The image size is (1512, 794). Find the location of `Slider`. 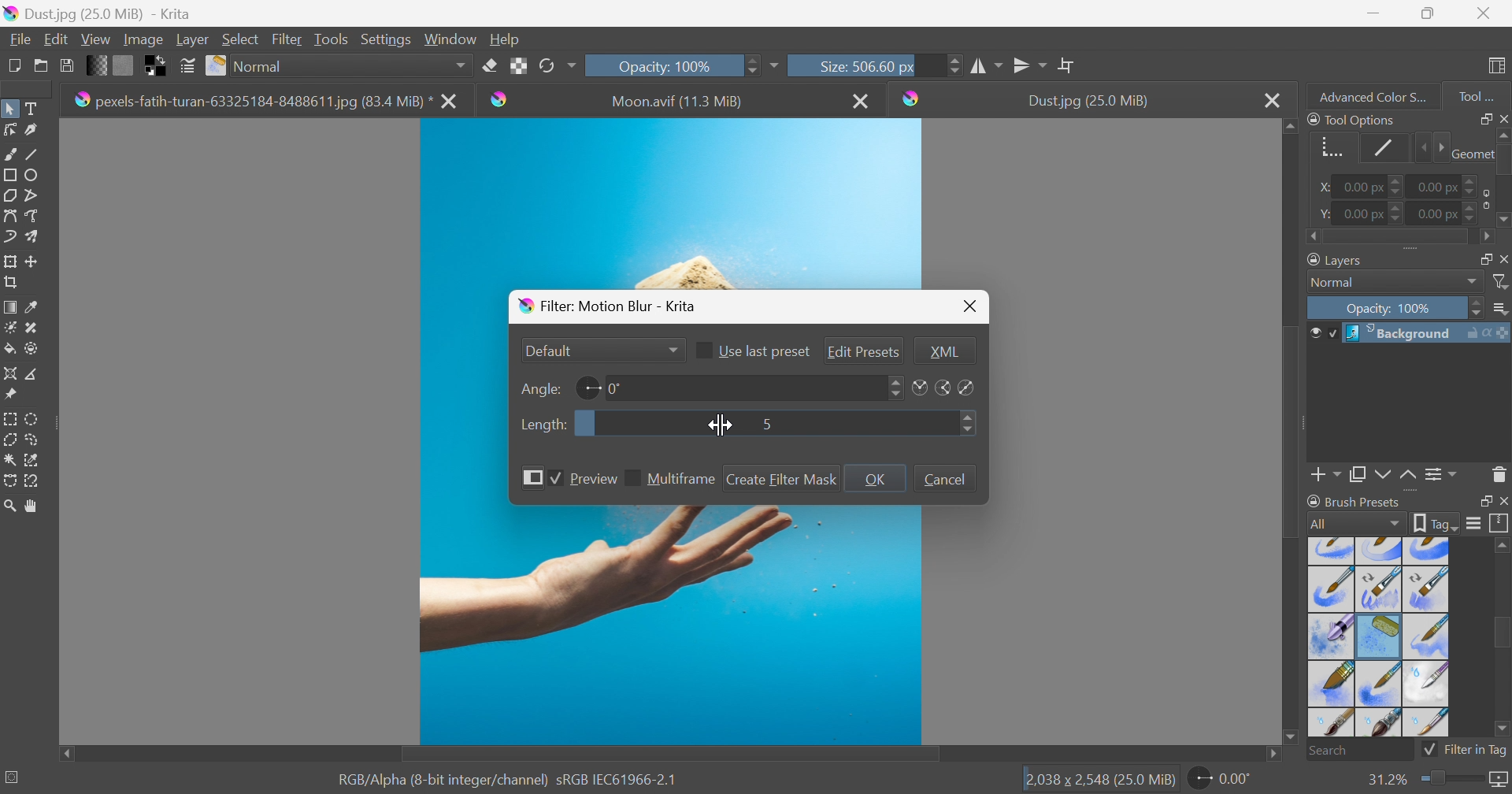

Slider is located at coordinates (1477, 309).